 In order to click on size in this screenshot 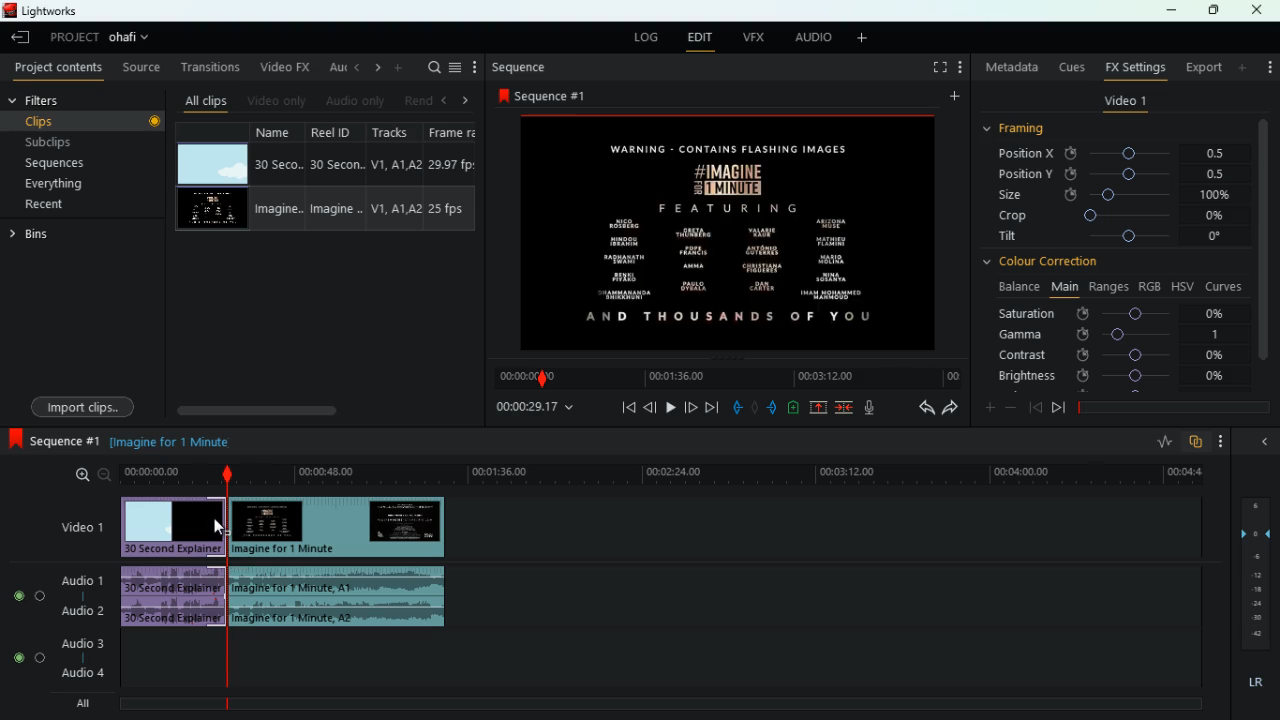, I will do `click(1115, 194)`.